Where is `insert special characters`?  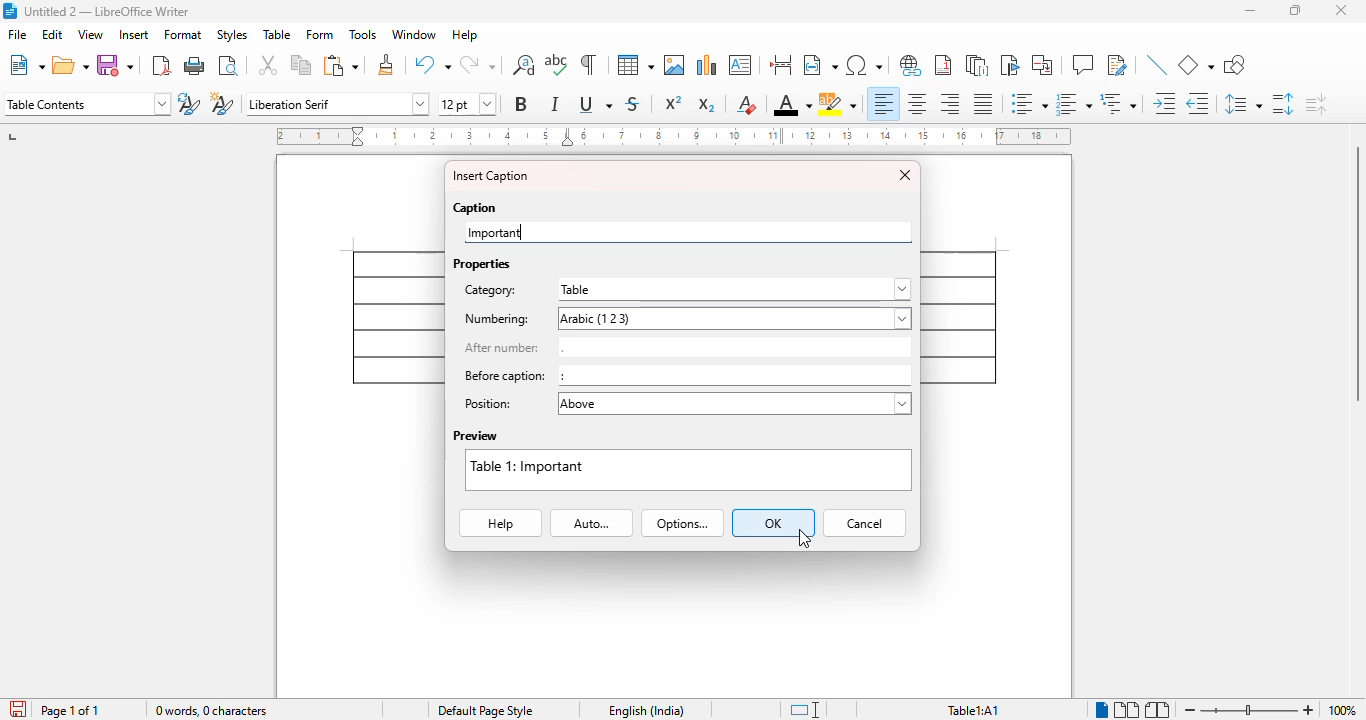 insert special characters is located at coordinates (865, 65).